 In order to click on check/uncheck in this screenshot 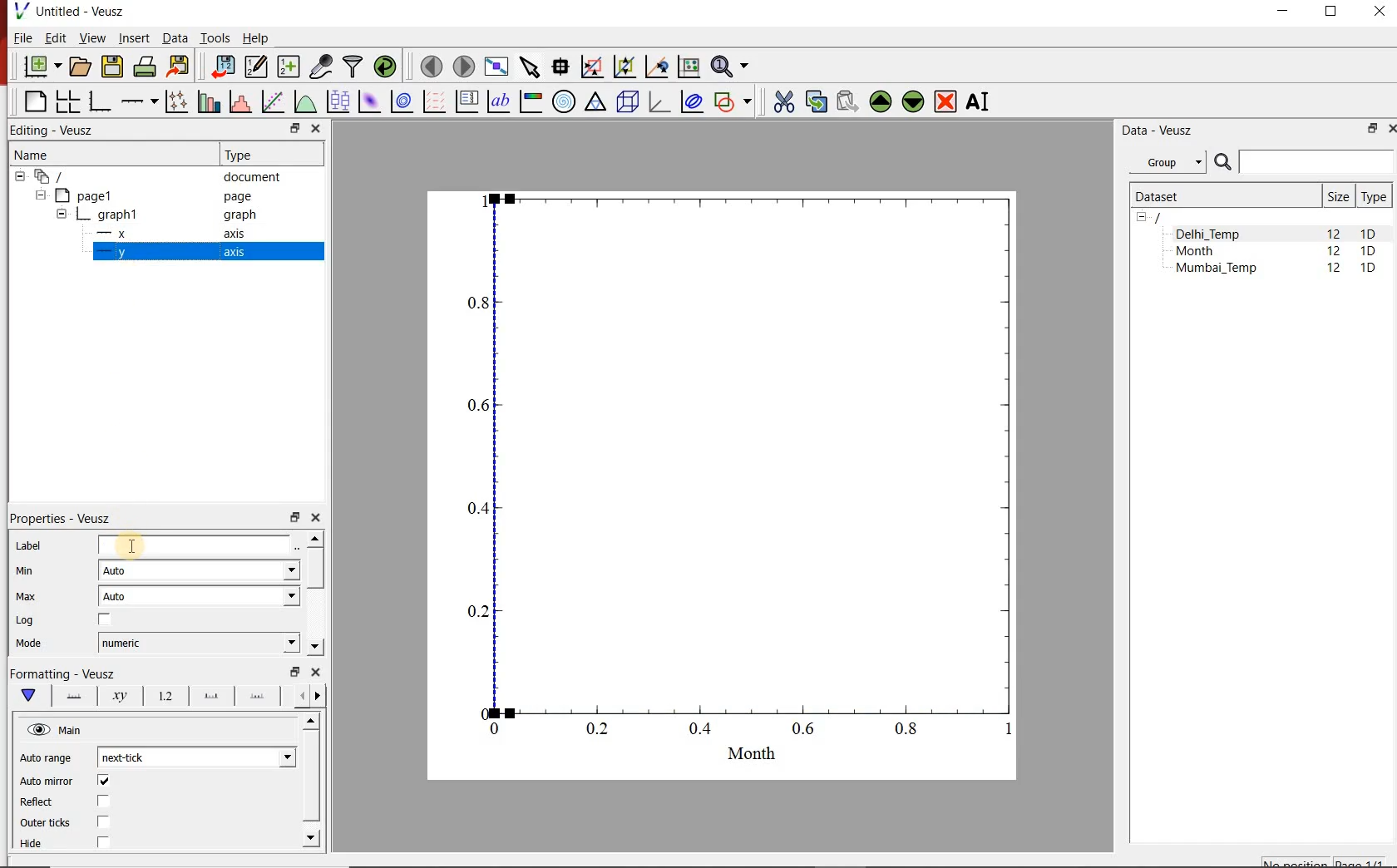, I will do `click(103, 821)`.